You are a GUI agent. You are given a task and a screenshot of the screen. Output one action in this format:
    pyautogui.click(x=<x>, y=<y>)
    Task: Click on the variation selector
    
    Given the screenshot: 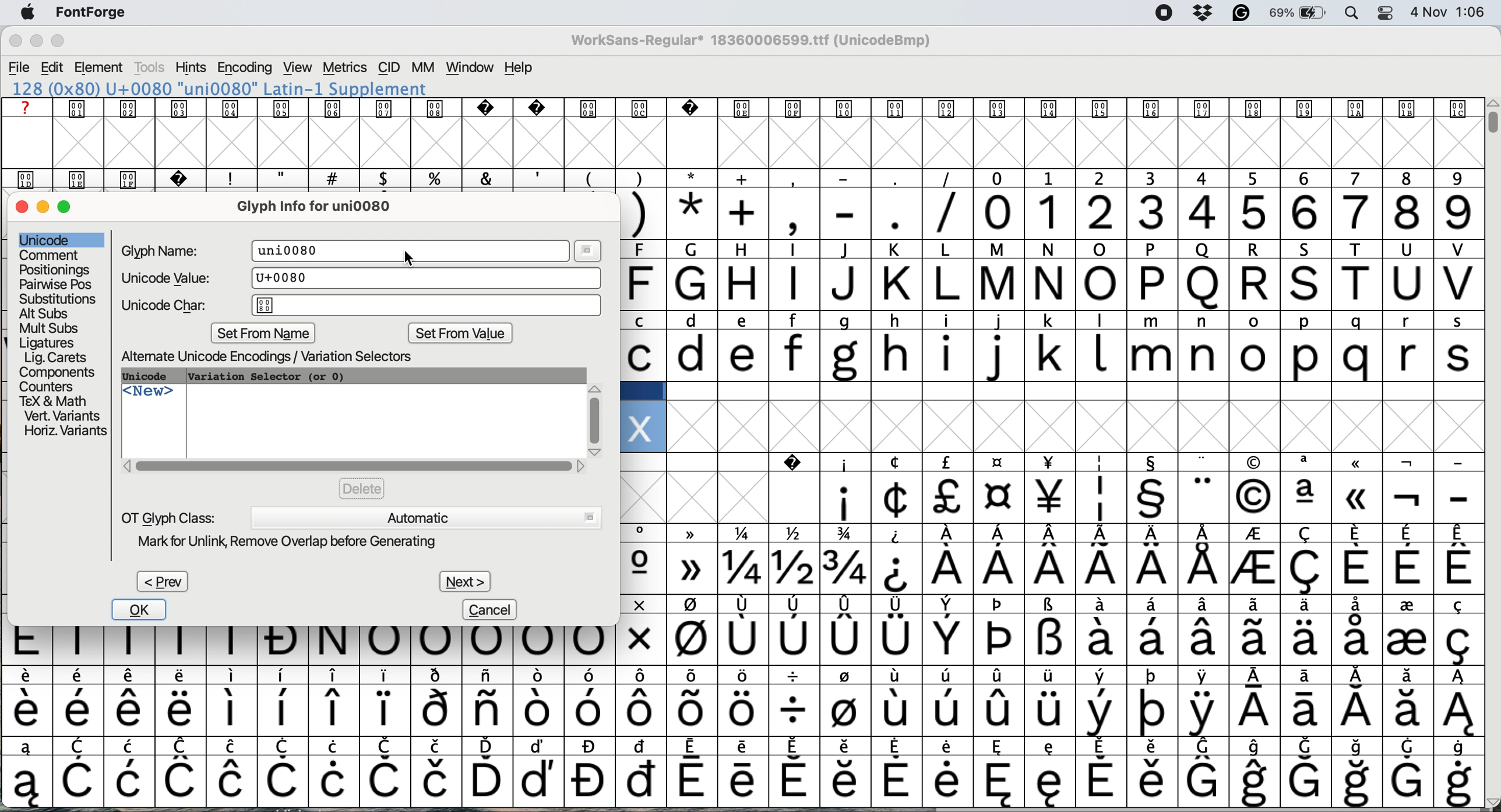 What is the action you would take?
    pyautogui.click(x=267, y=376)
    